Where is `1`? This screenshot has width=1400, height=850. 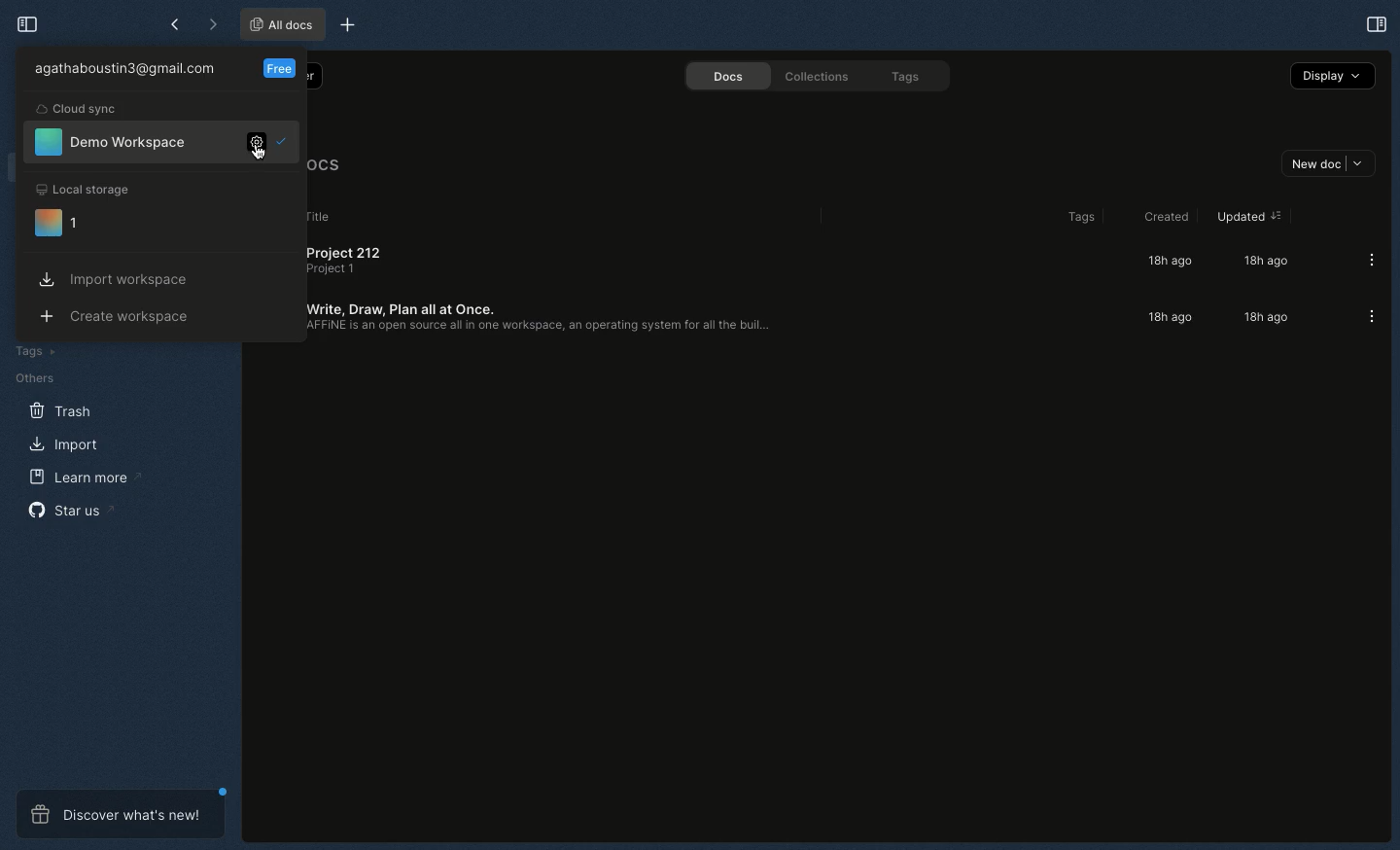 1 is located at coordinates (60, 225).